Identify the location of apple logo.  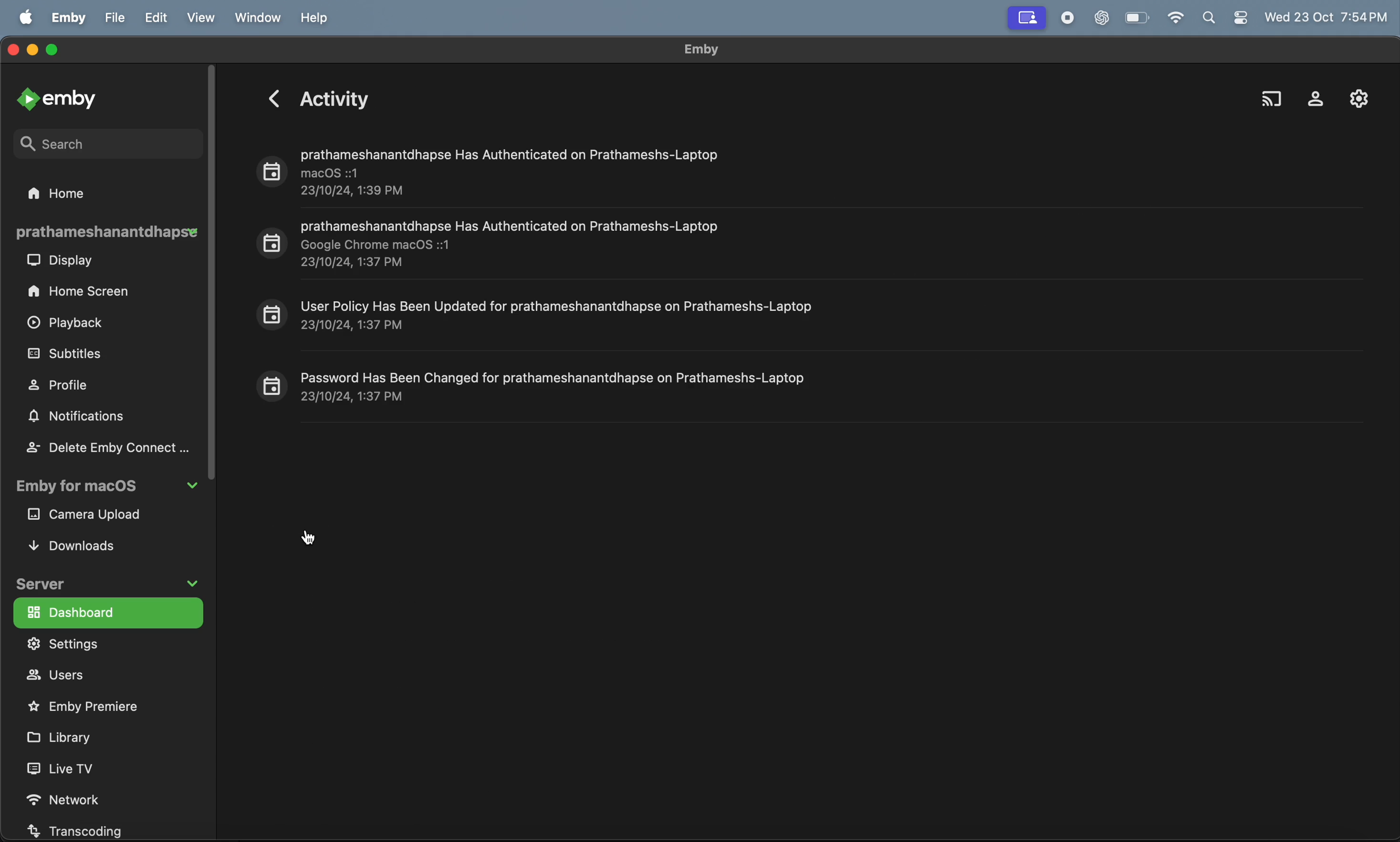
(27, 16).